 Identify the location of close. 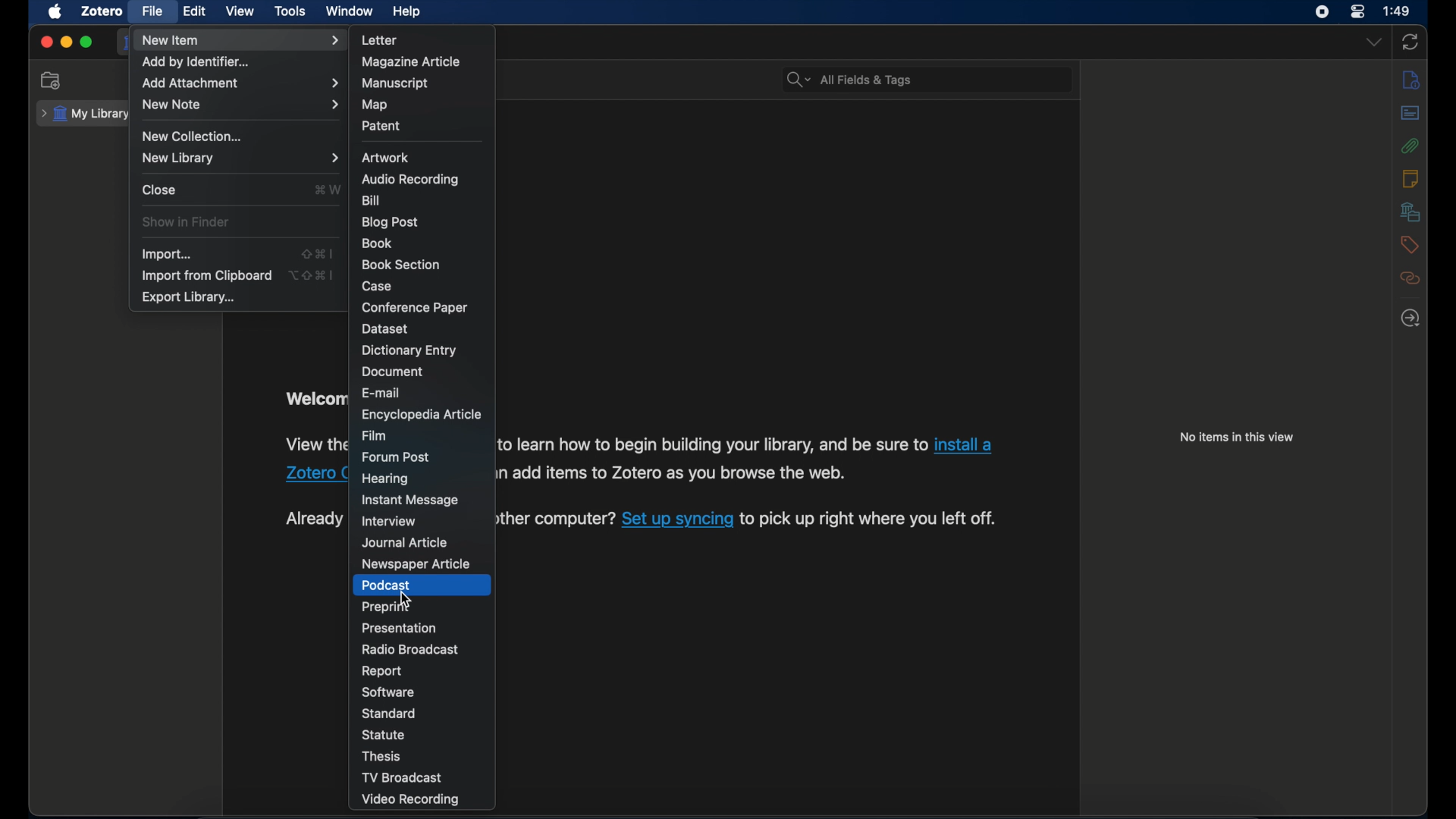
(45, 42).